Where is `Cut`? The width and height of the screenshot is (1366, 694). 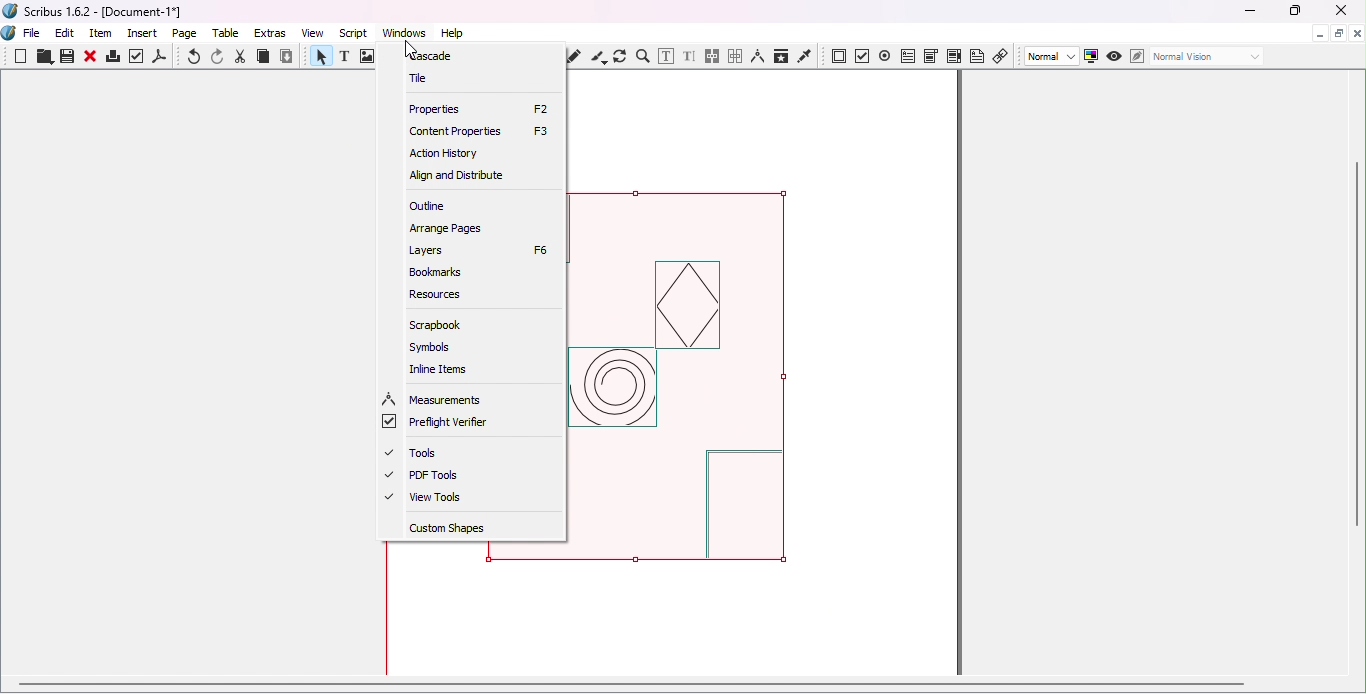
Cut is located at coordinates (241, 57).